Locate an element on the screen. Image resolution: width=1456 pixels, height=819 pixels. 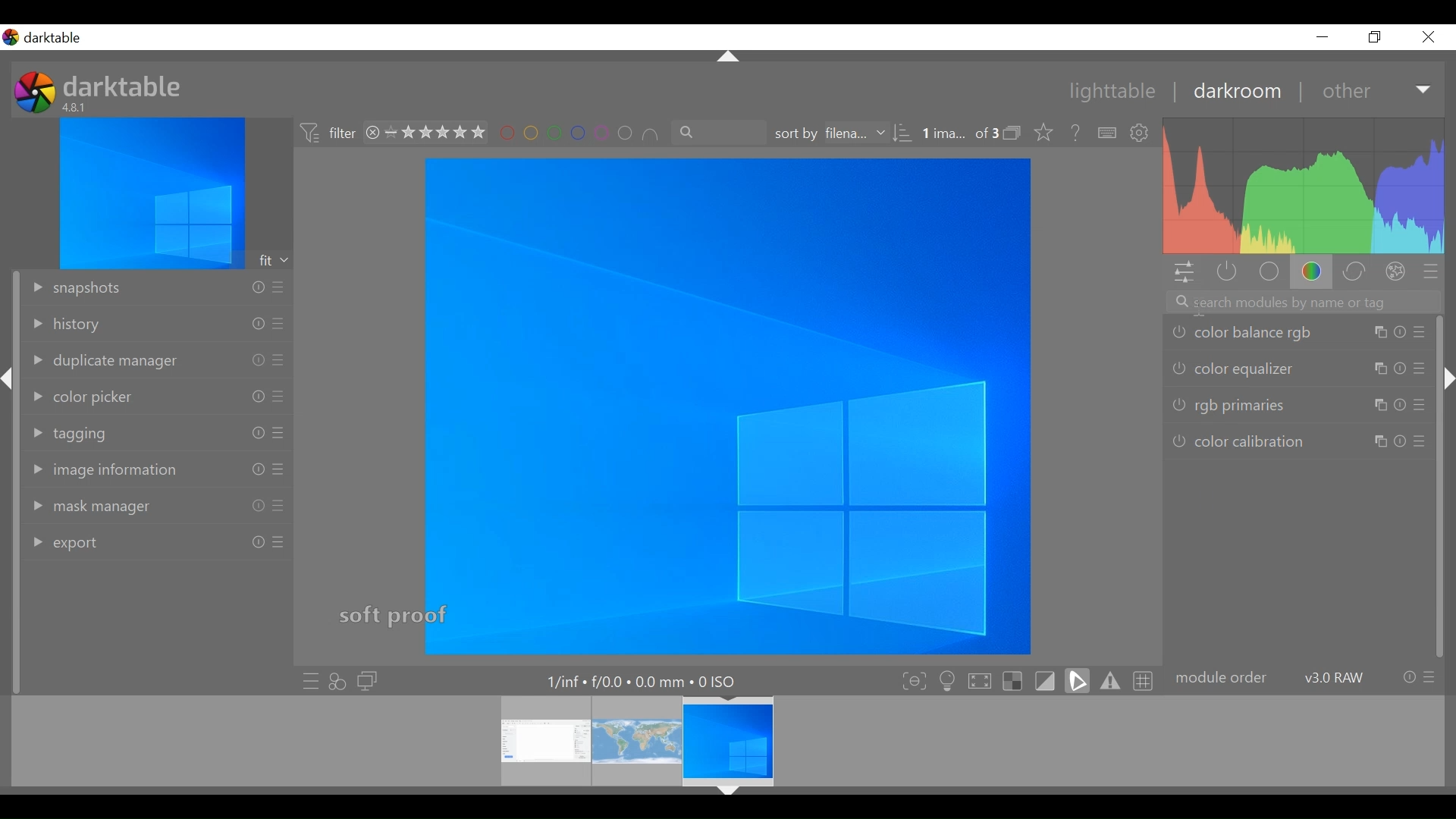
base is located at coordinates (1268, 272).